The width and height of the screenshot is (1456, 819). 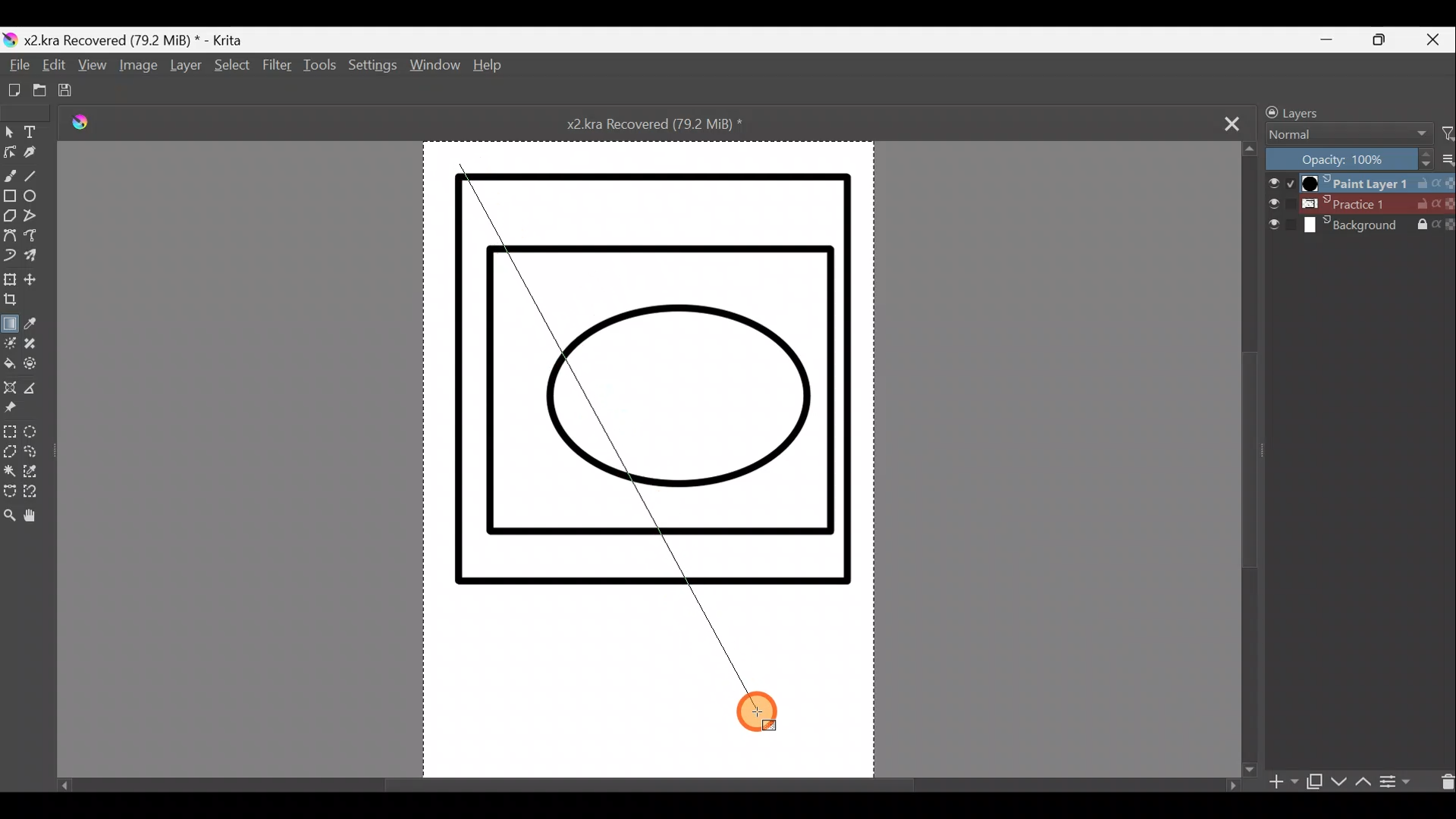 What do you see at coordinates (136, 68) in the screenshot?
I see `Image` at bounding box center [136, 68].